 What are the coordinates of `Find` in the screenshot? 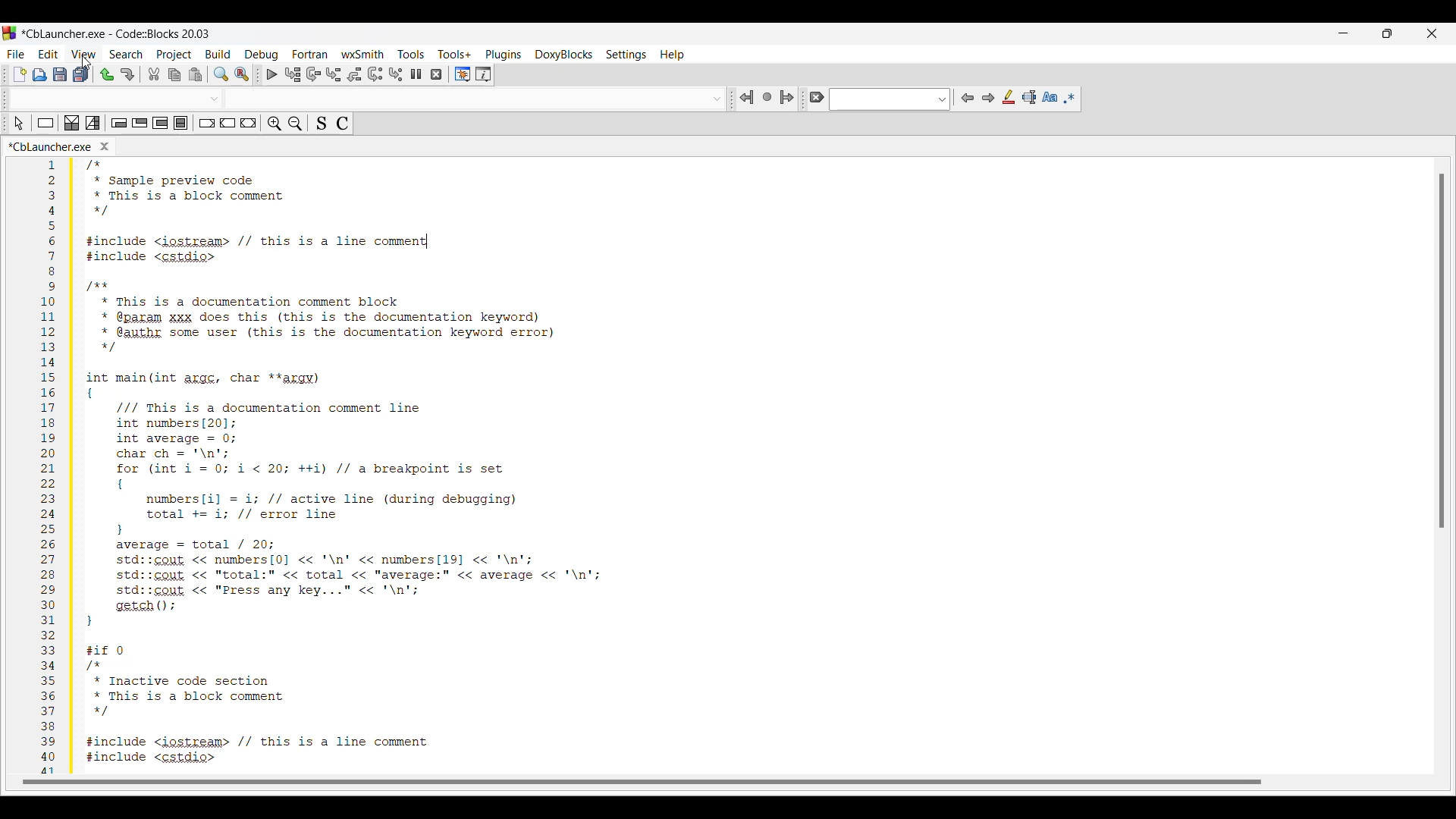 It's located at (221, 74).